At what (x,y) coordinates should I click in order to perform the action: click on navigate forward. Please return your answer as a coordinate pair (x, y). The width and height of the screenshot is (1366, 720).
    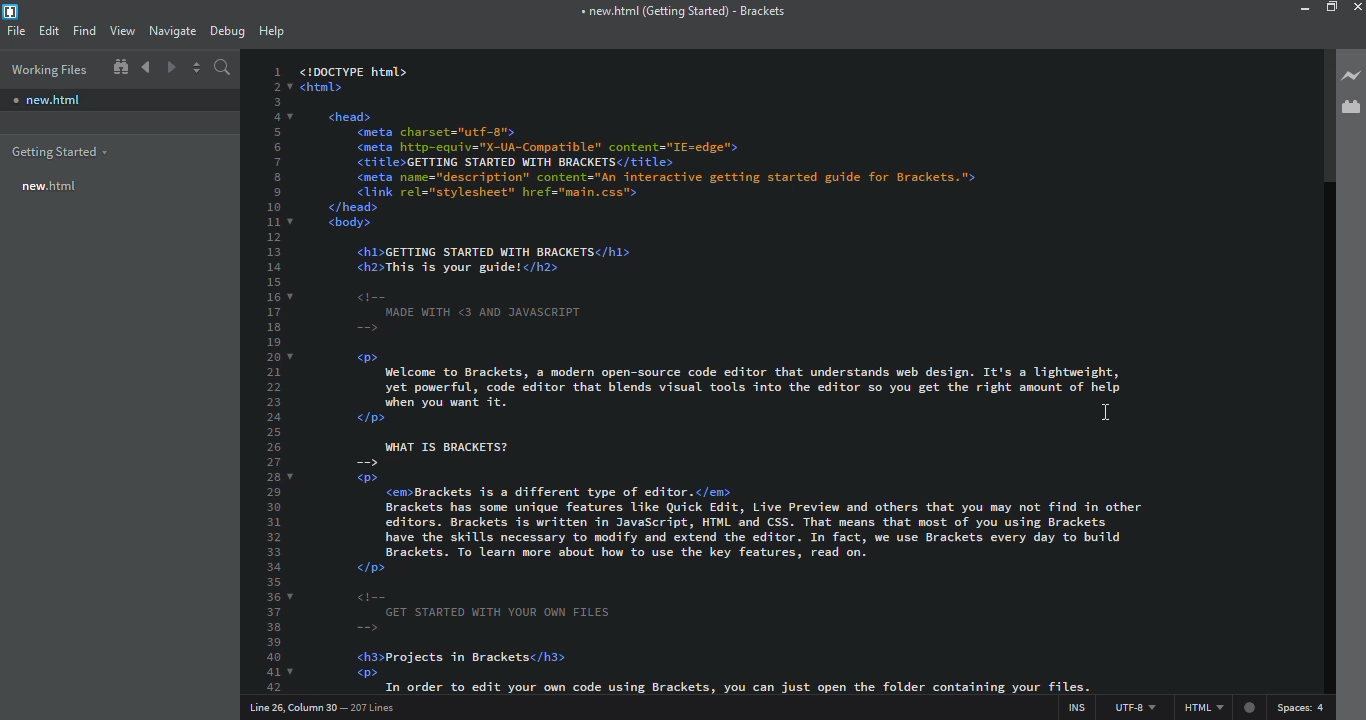
    Looking at the image, I should click on (173, 68).